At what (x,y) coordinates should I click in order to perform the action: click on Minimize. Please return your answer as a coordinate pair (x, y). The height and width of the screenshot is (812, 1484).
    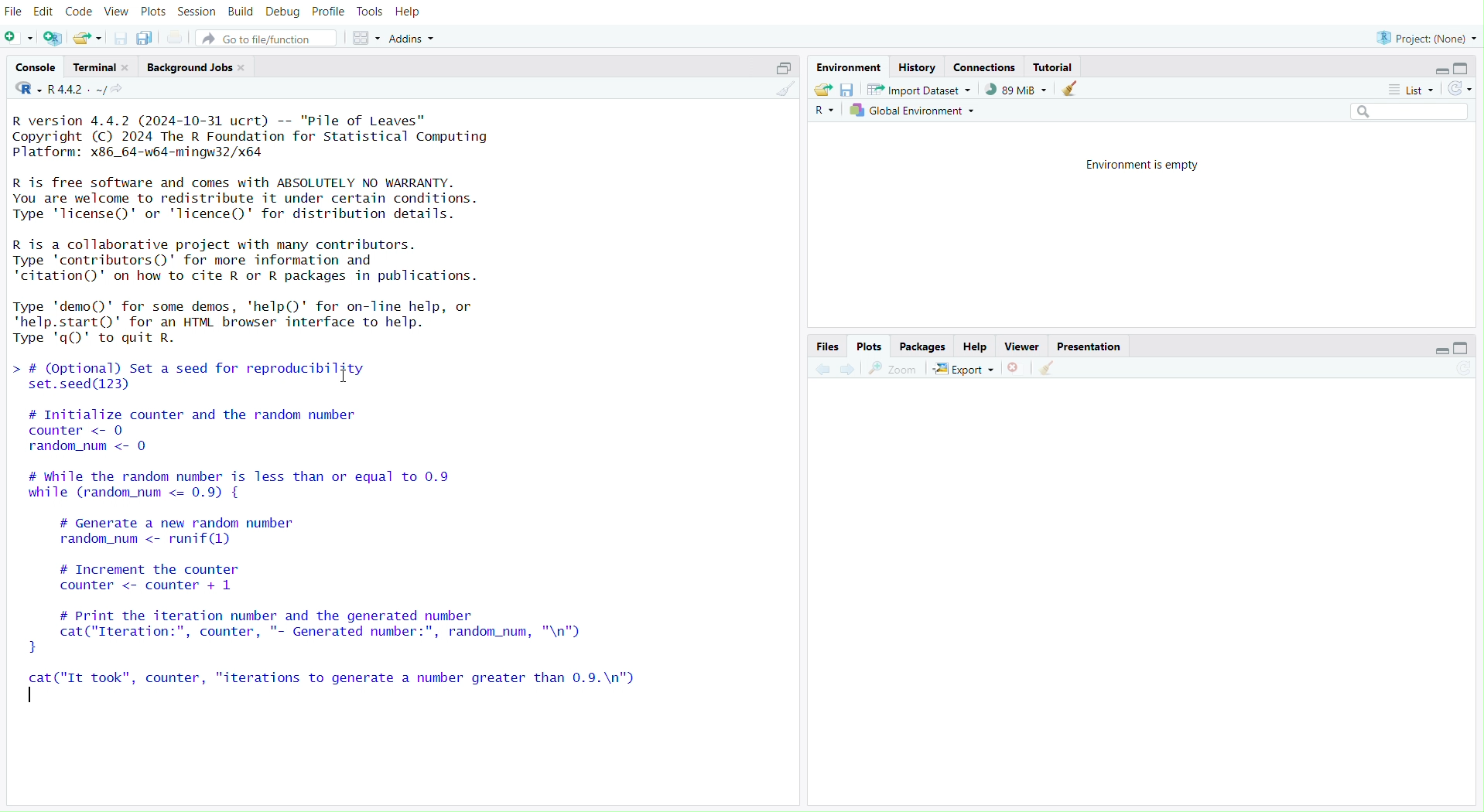
    Looking at the image, I should click on (1443, 350).